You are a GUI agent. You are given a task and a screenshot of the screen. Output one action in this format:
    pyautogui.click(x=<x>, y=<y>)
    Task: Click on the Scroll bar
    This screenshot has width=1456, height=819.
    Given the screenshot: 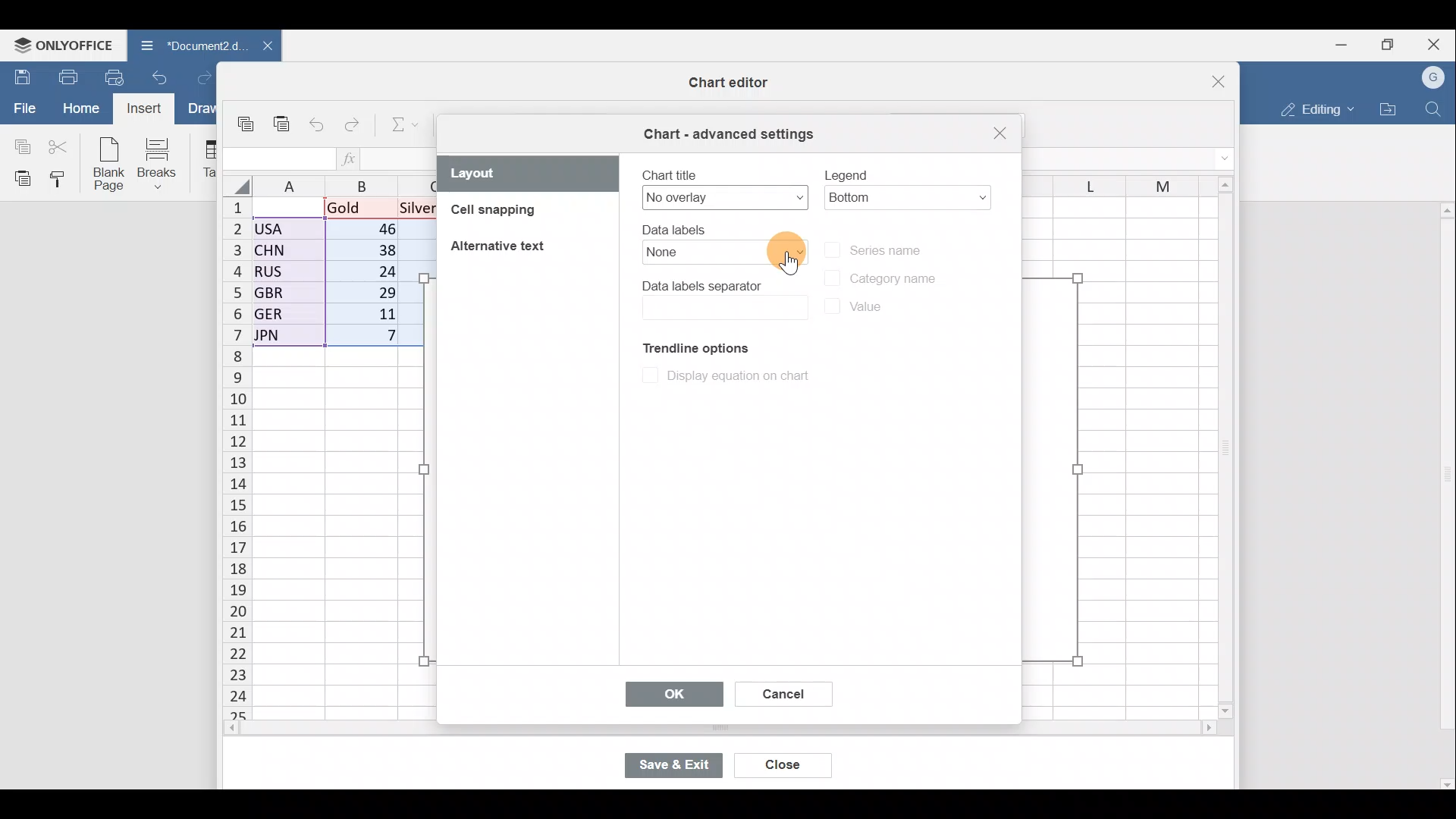 What is the action you would take?
    pyautogui.click(x=1220, y=444)
    